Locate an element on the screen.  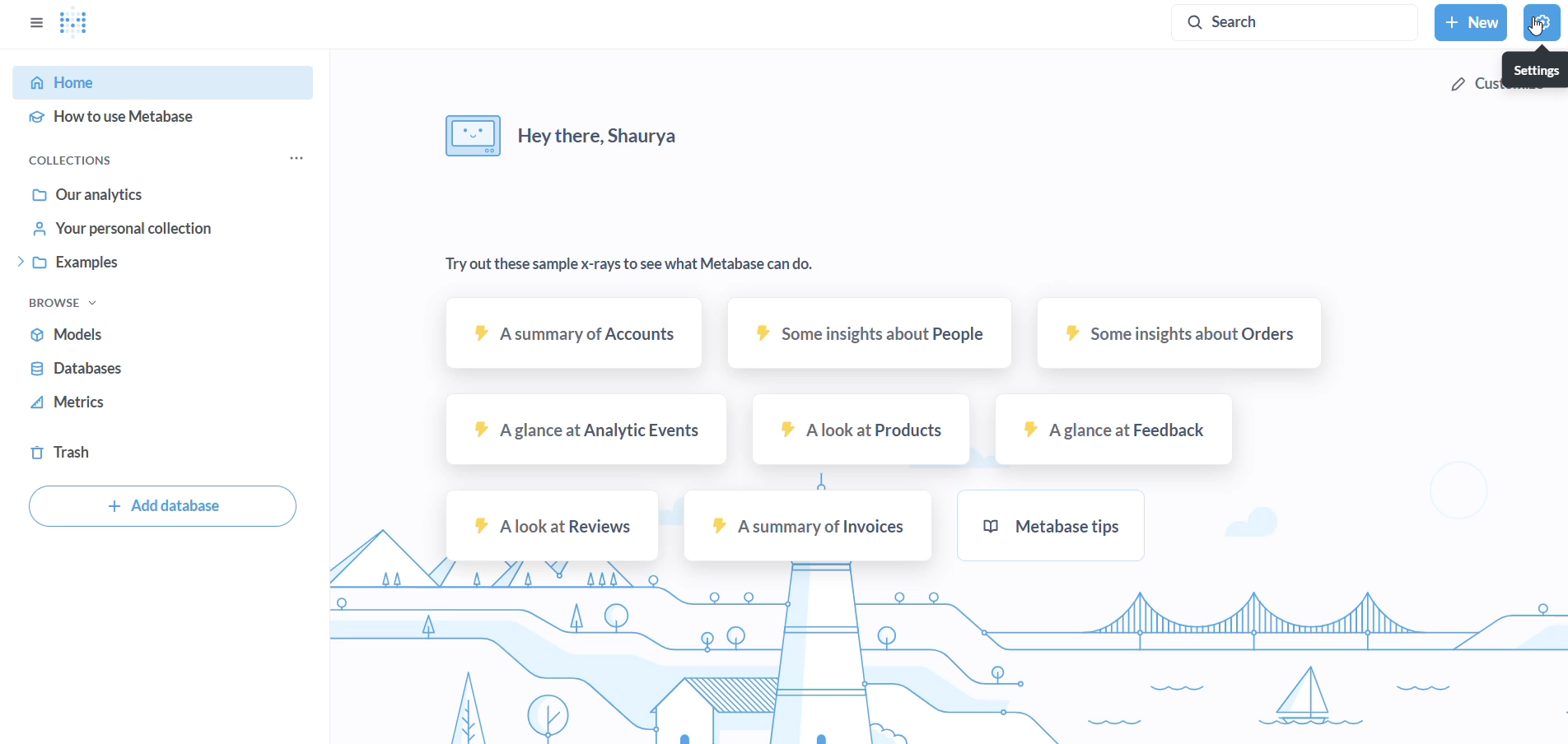
logo is located at coordinates (76, 24).